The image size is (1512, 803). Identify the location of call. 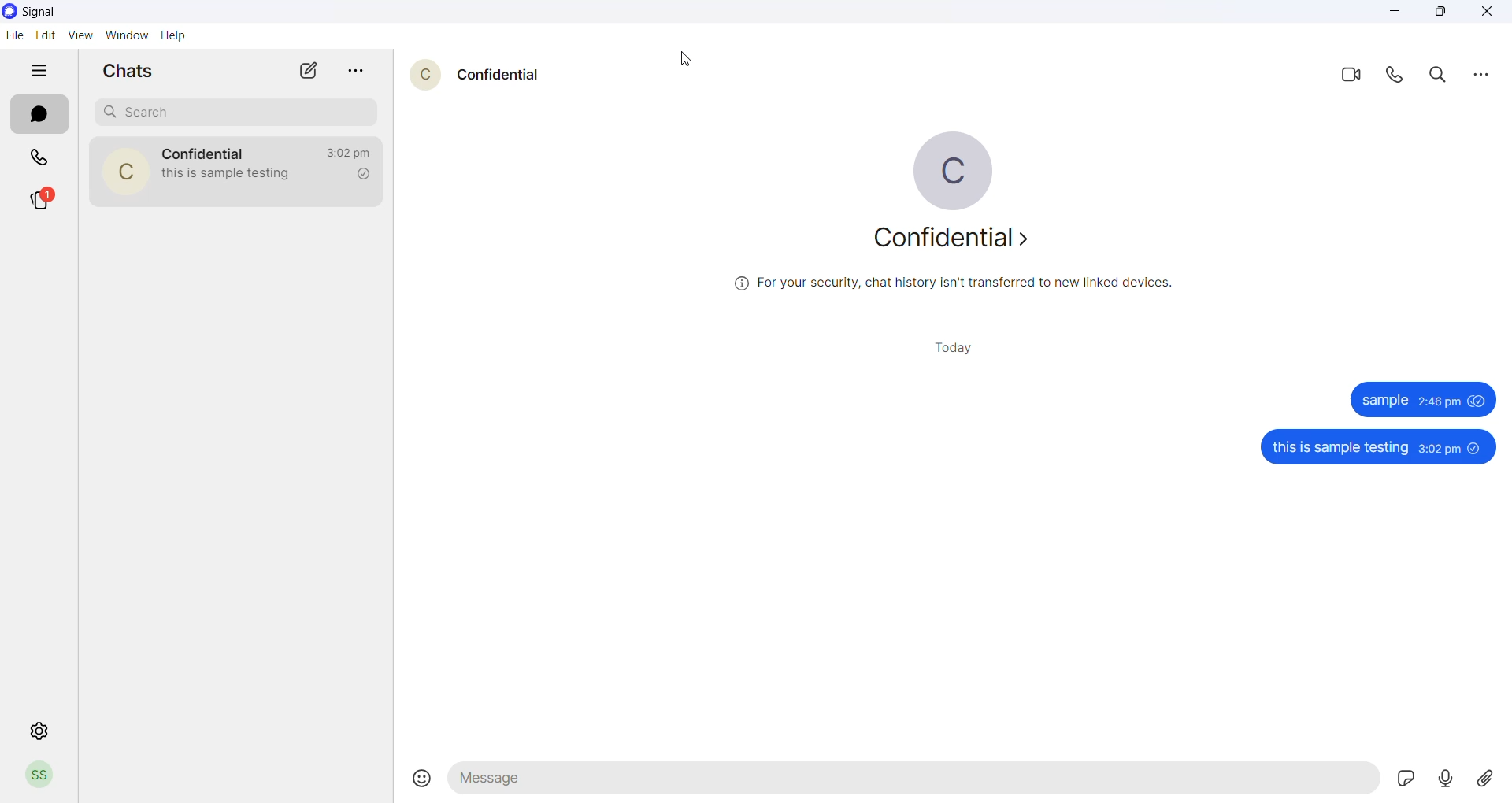
(1397, 77).